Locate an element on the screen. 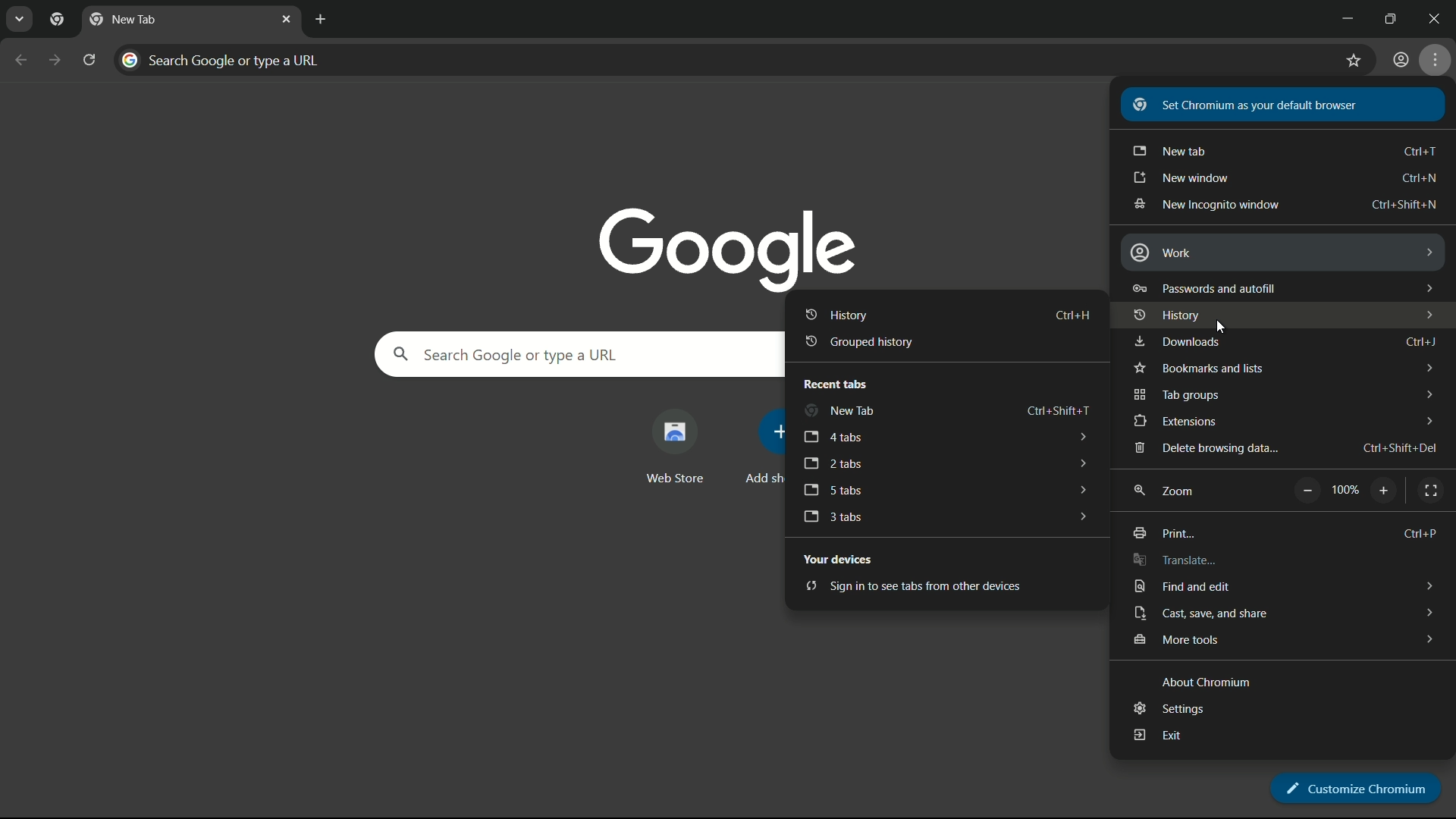  back is located at coordinates (22, 60).